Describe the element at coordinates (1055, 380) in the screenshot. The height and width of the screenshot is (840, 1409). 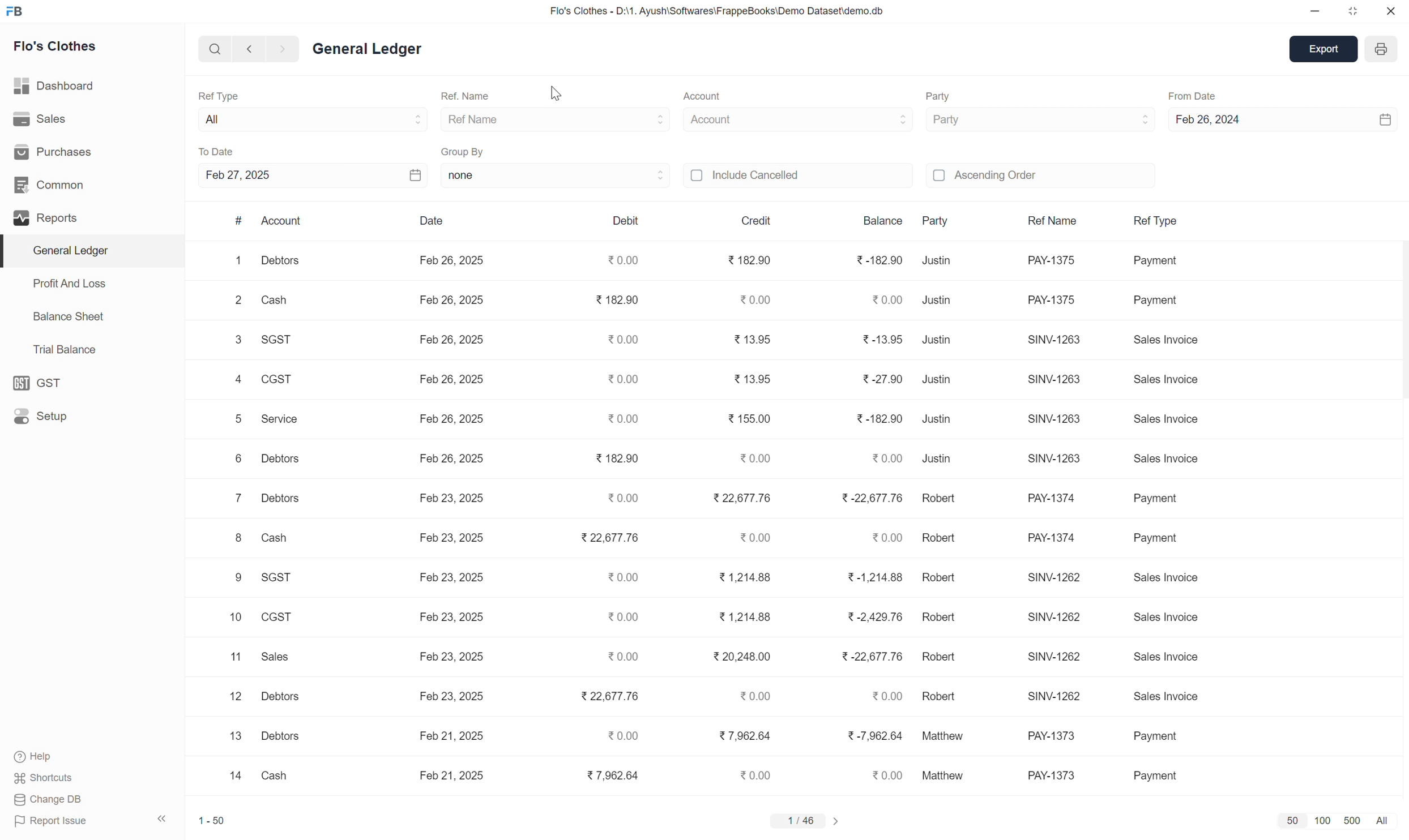
I see `SINV-1263` at that location.